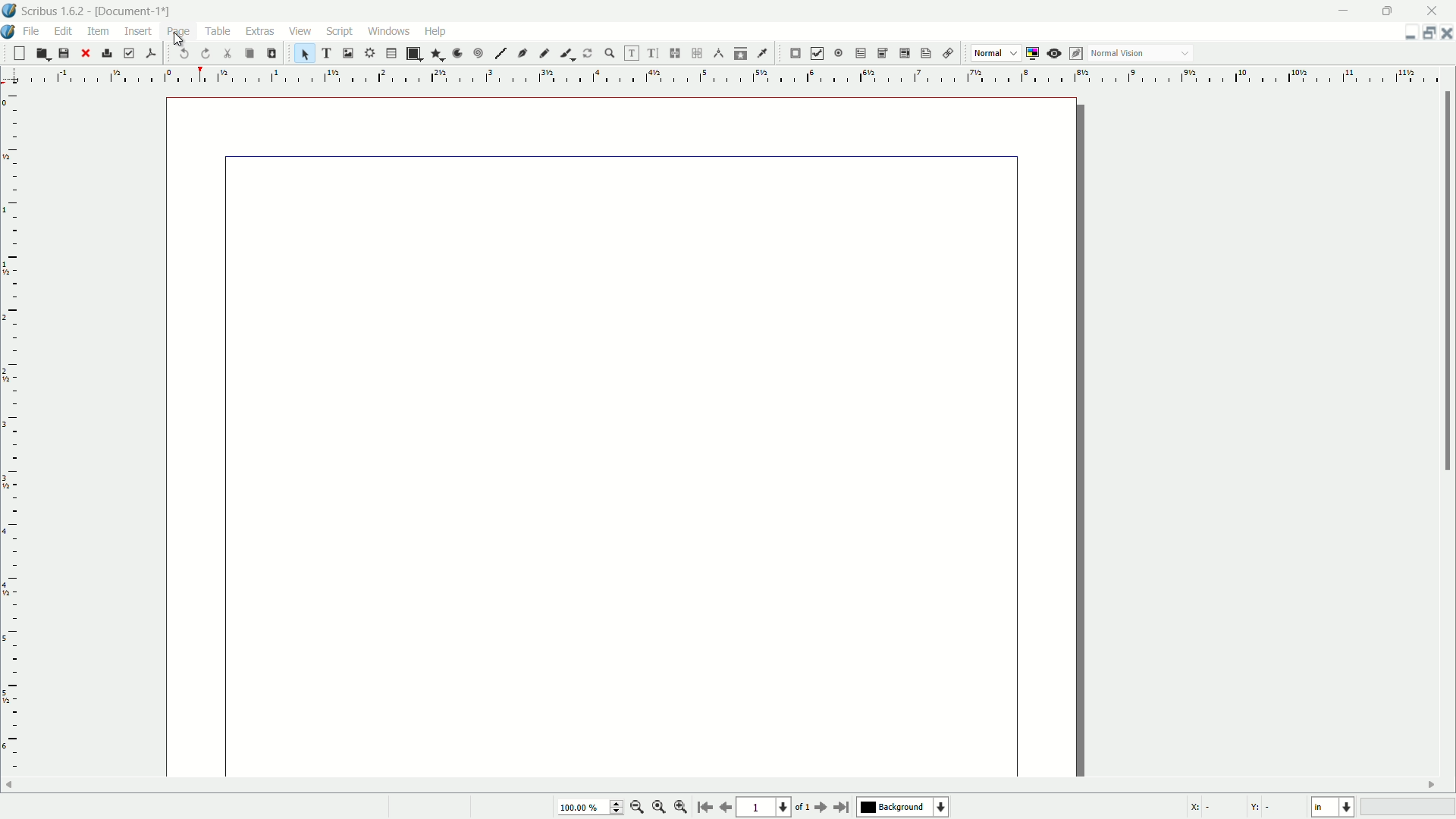 The width and height of the screenshot is (1456, 819). I want to click on toggle color management system, so click(1034, 53).